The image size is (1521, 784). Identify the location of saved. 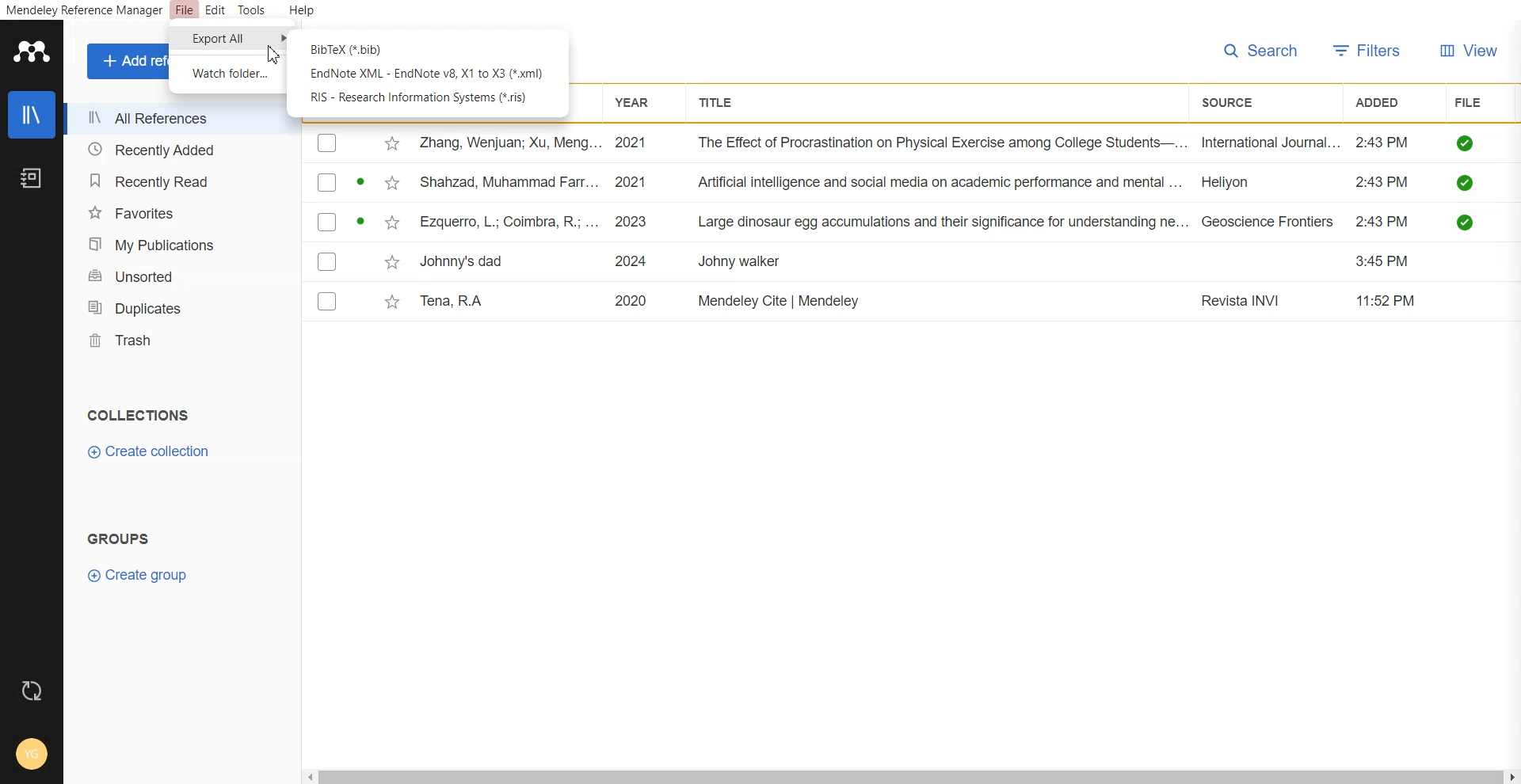
(1467, 182).